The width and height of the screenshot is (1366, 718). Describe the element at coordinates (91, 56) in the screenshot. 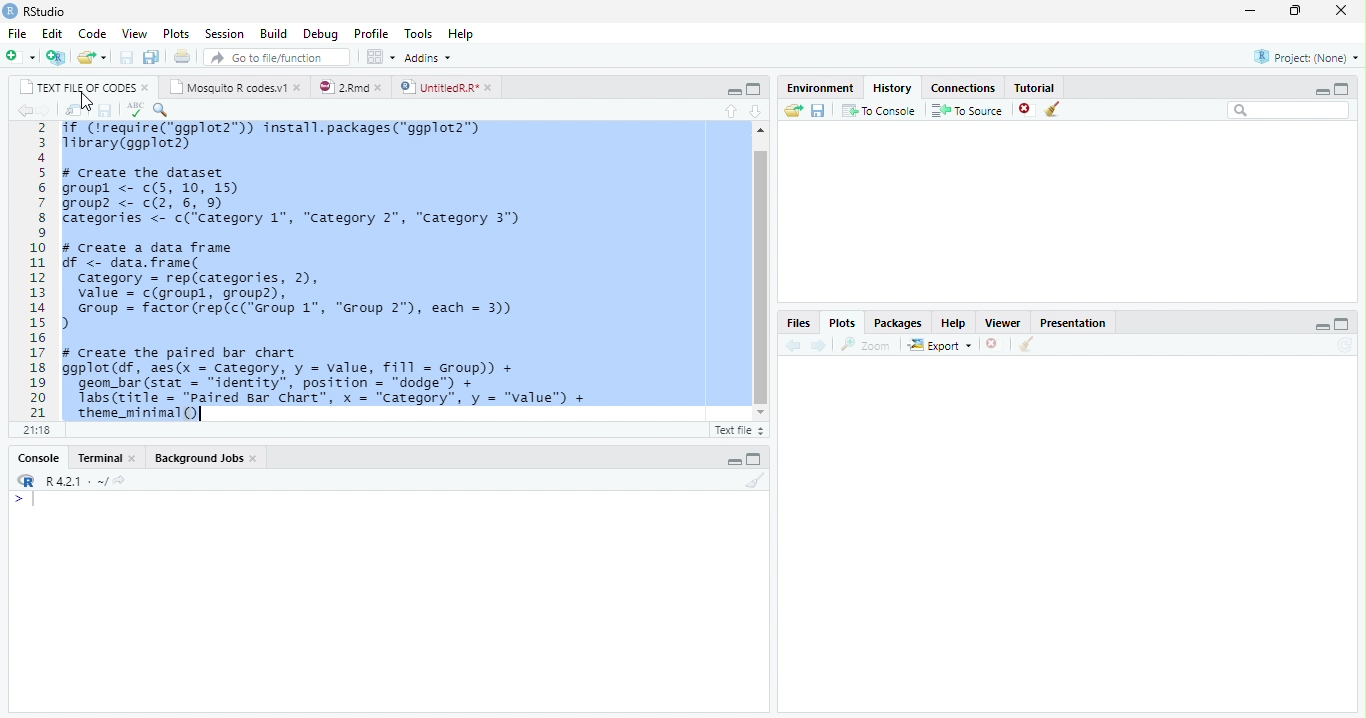

I see `open an existing file` at that location.